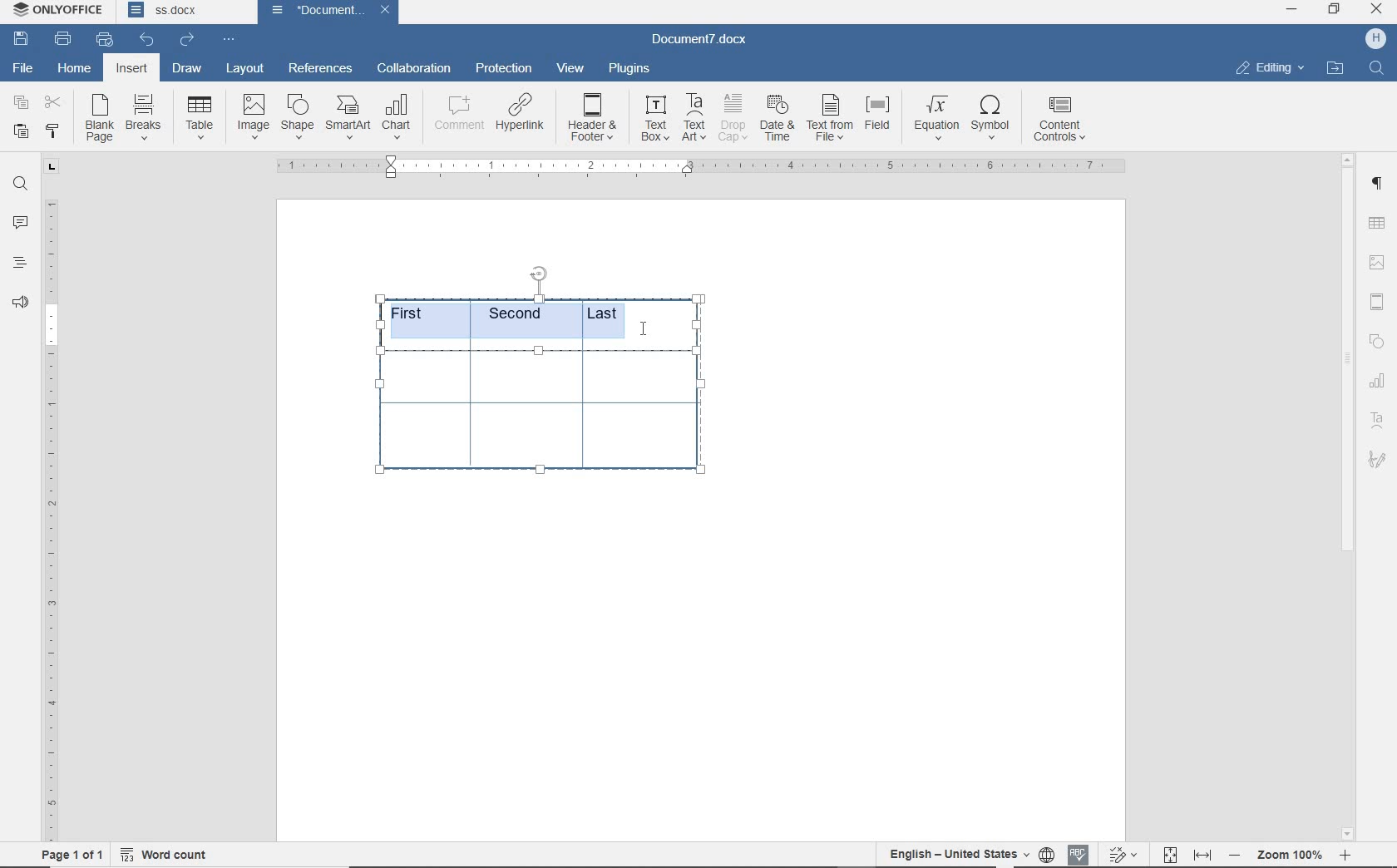  What do you see at coordinates (1125, 853) in the screenshot?
I see `track changes` at bounding box center [1125, 853].